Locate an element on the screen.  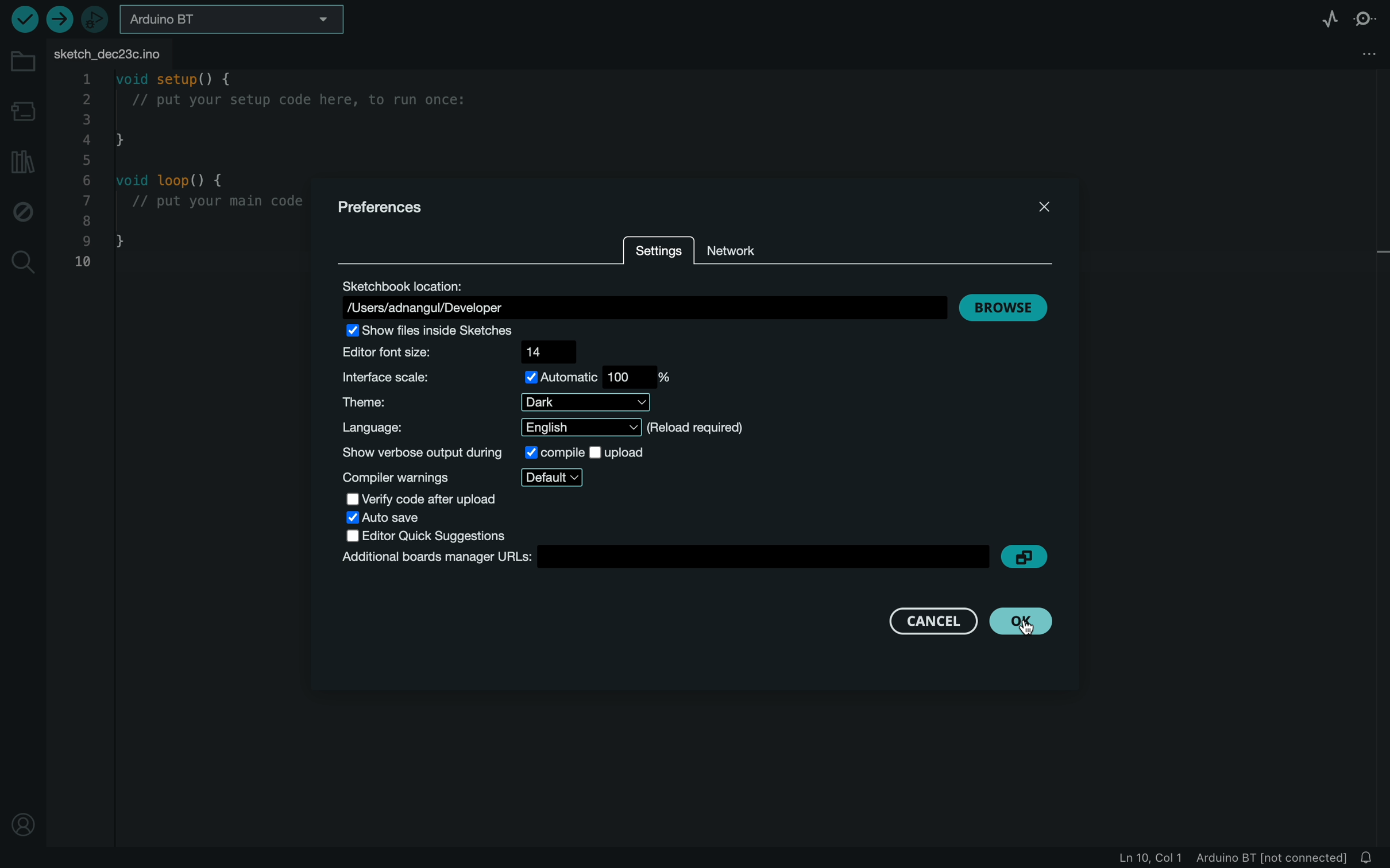
file tab is located at coordinates (122, 52).